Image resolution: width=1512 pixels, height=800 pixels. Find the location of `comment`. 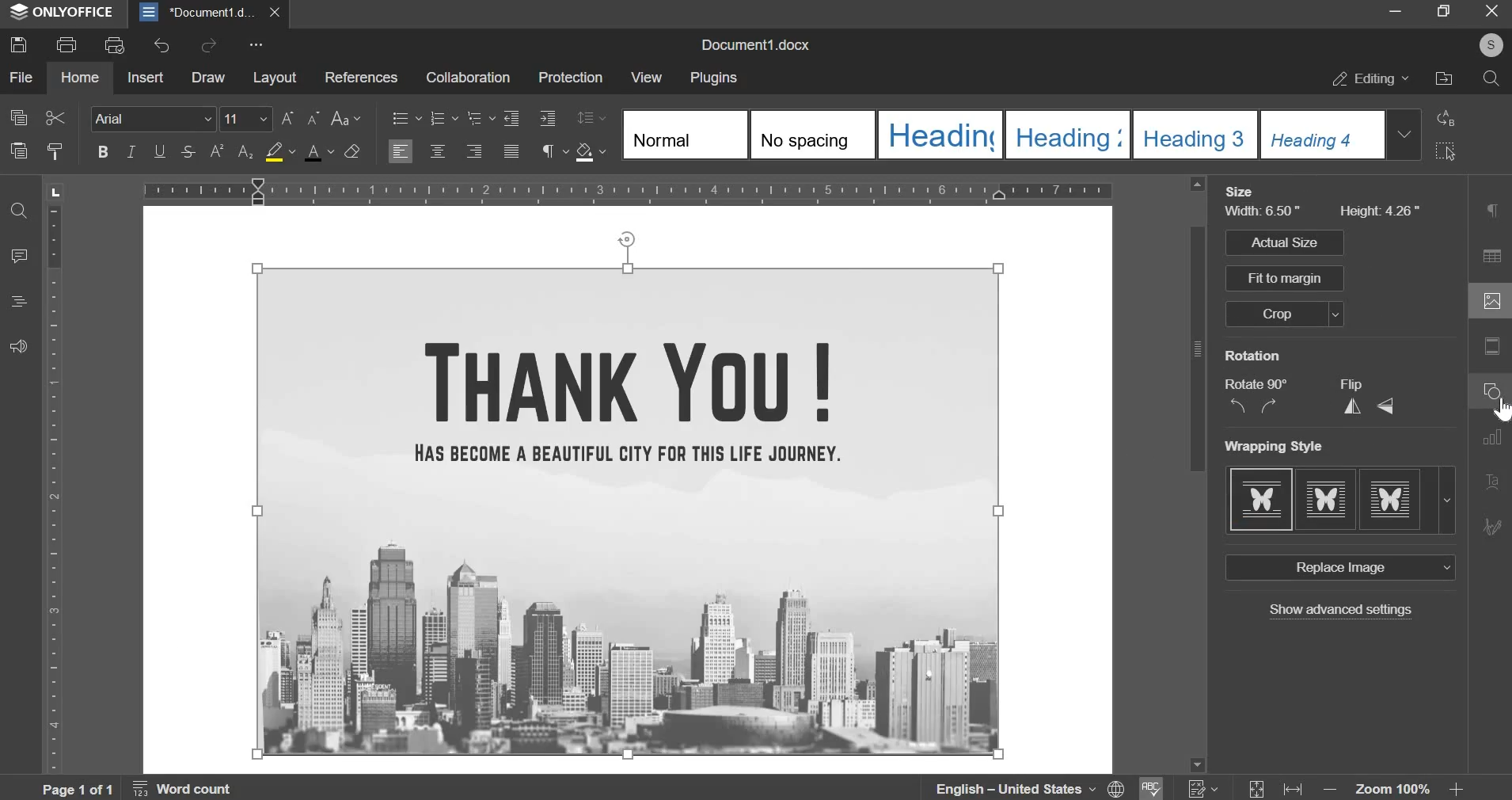

comment is located at coordinates (20, 257).